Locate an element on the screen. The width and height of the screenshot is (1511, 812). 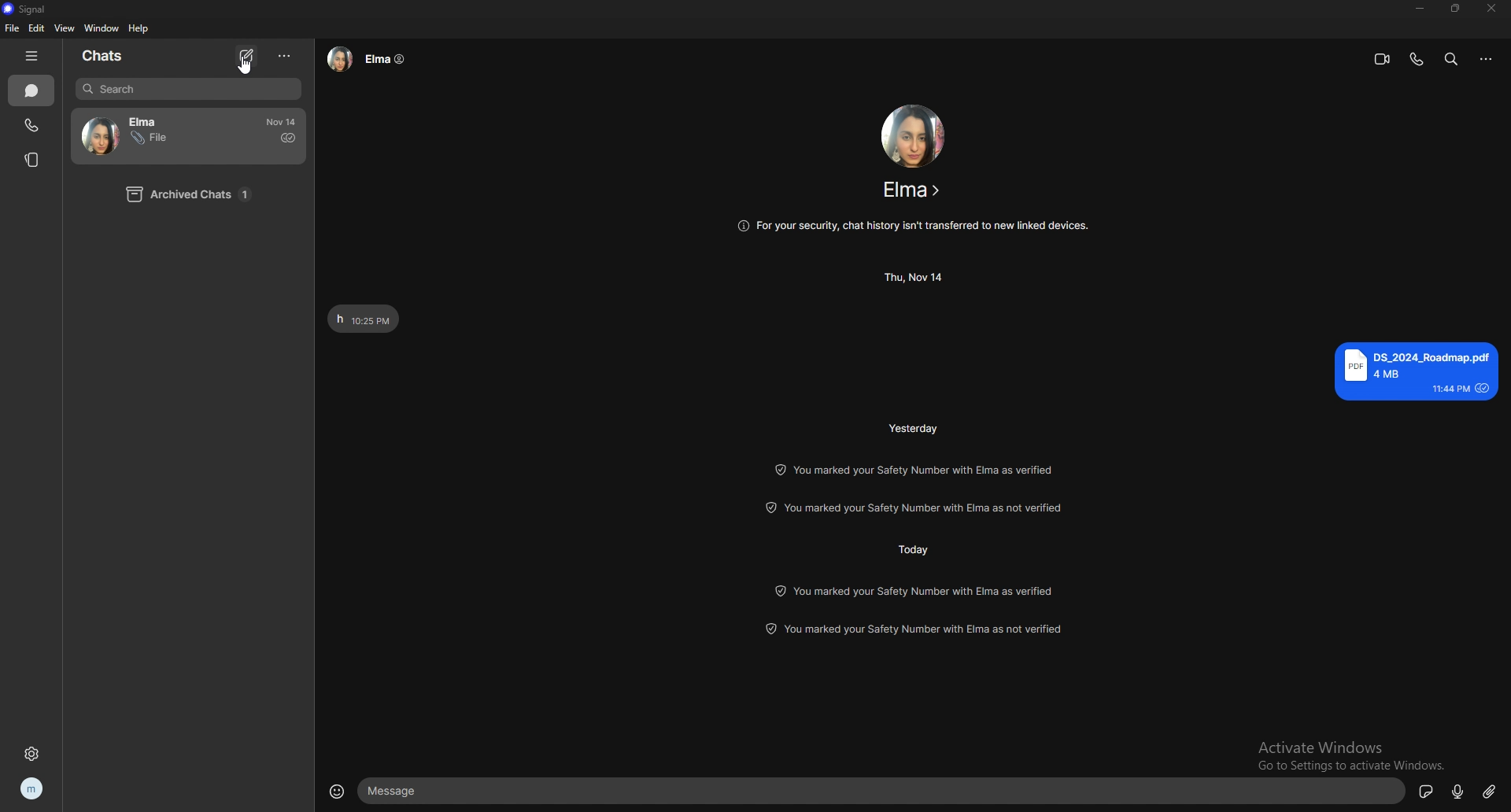
chats is located at coordinates (118, 55).